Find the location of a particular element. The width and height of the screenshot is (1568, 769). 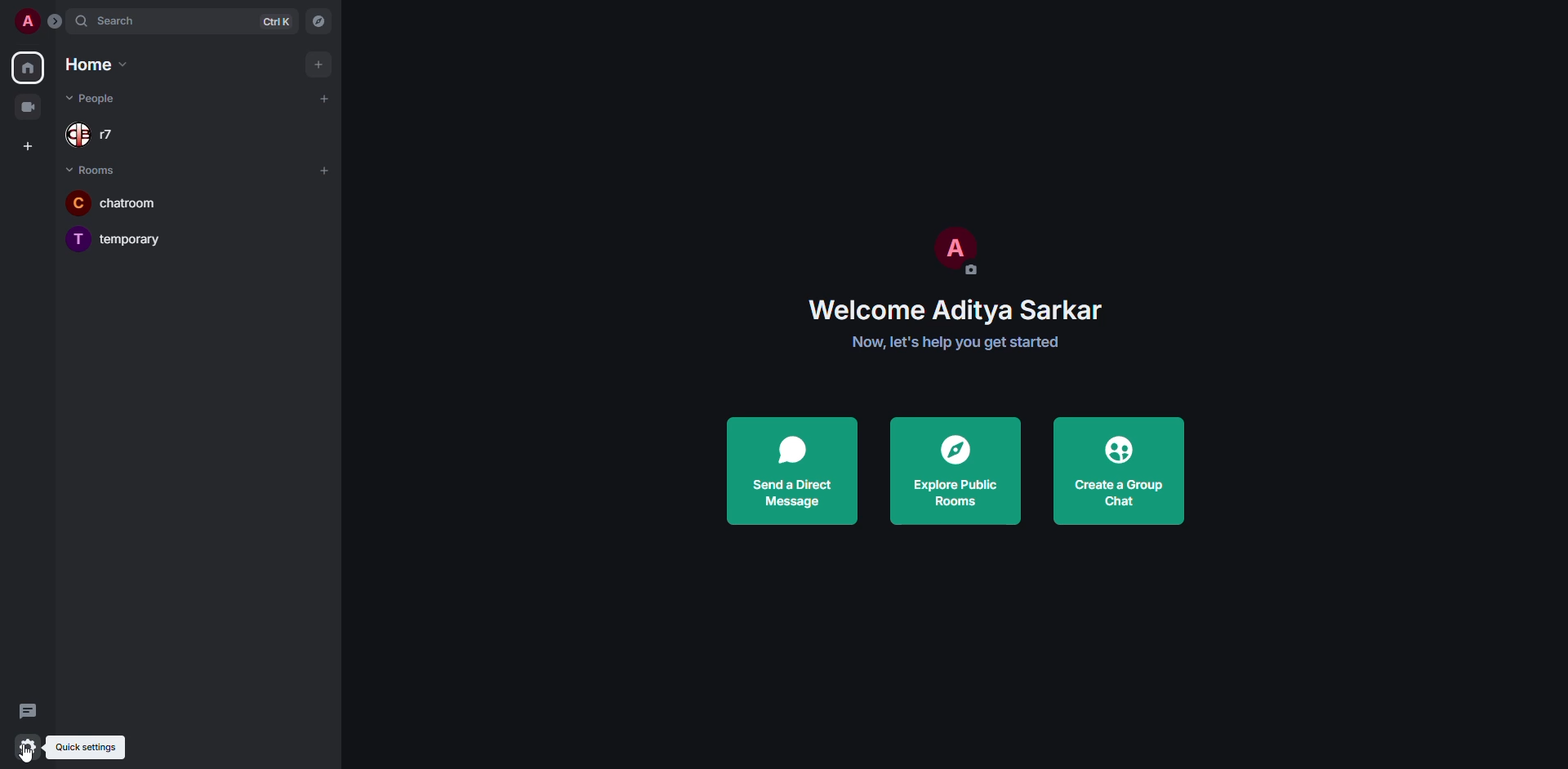

search is located at coordinates (109, 21).